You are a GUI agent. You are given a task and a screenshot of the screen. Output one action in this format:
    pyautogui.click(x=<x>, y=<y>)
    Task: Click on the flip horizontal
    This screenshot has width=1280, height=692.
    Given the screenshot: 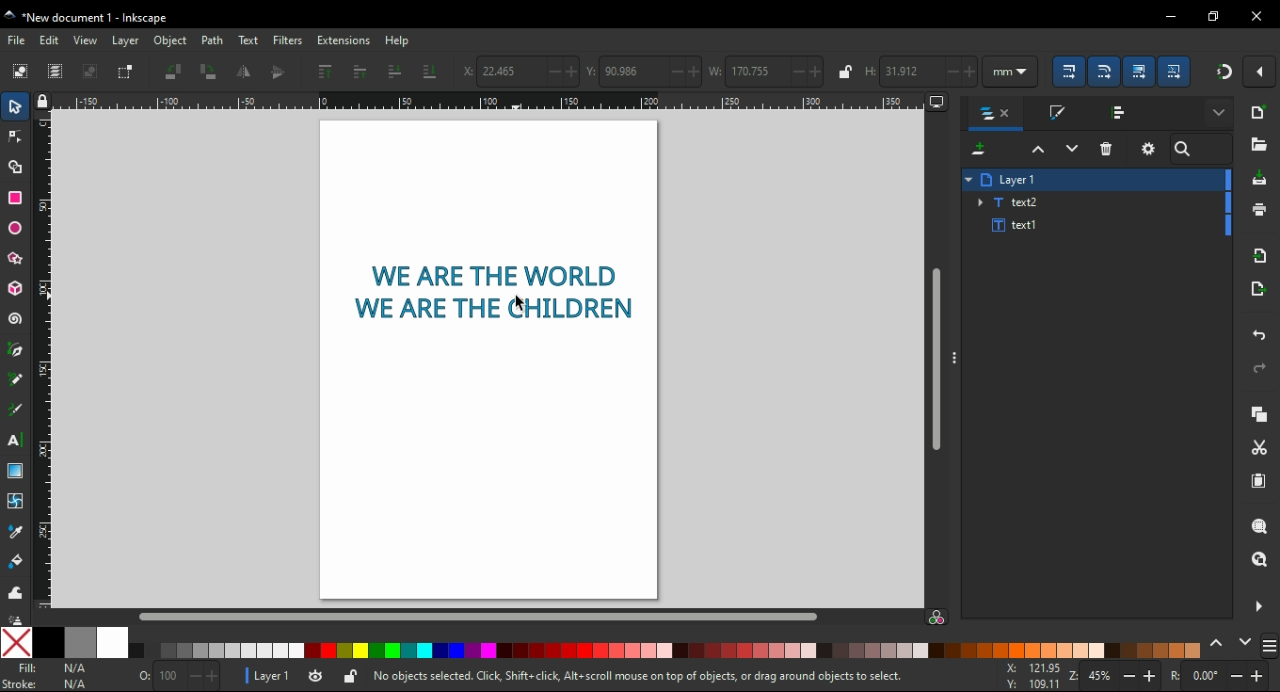 What is the action you would take?
    pyautogui.click(x=244, y=72)
    